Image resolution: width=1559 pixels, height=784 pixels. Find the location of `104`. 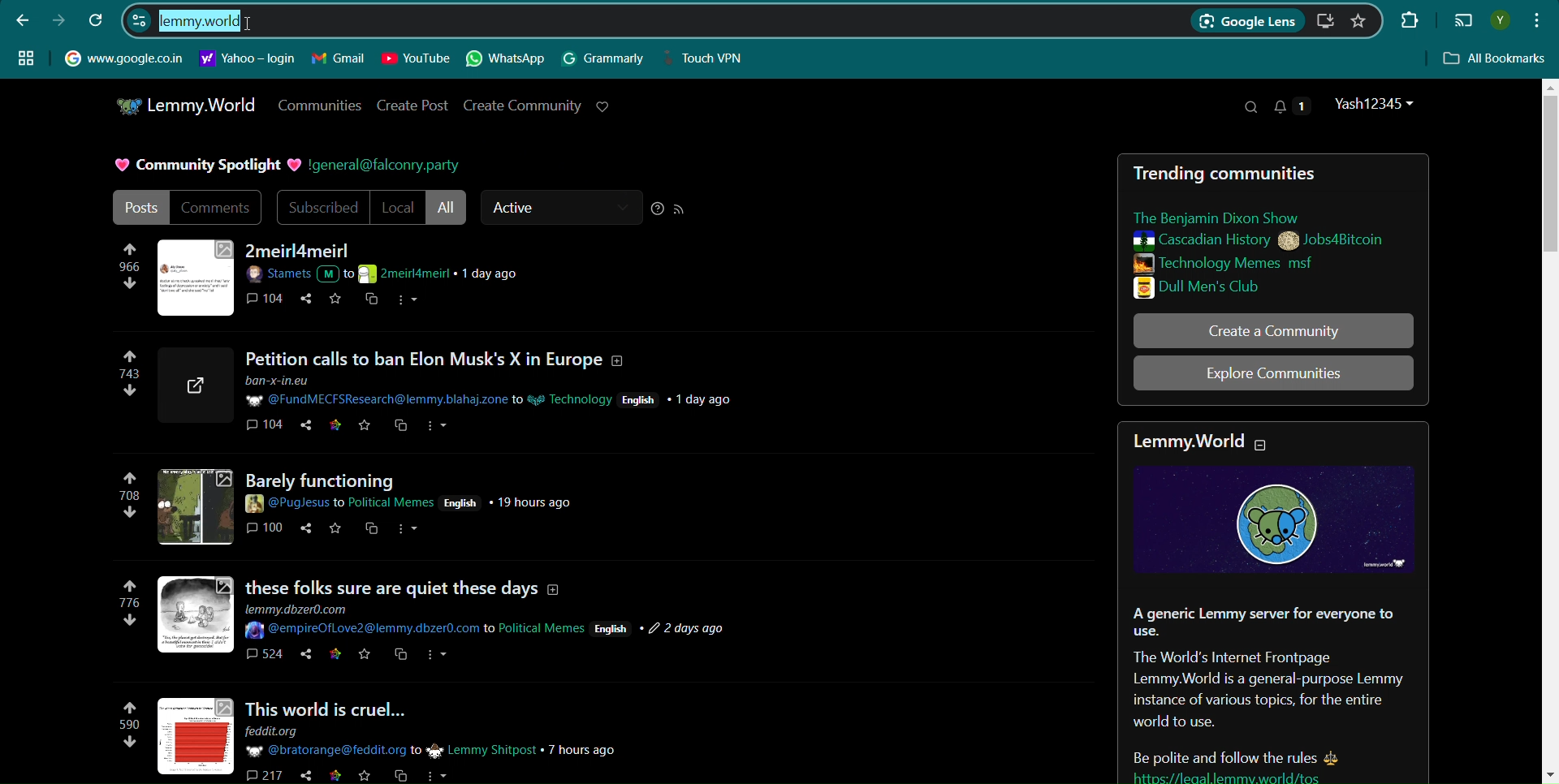

104 is located at coordinates (263, 429).